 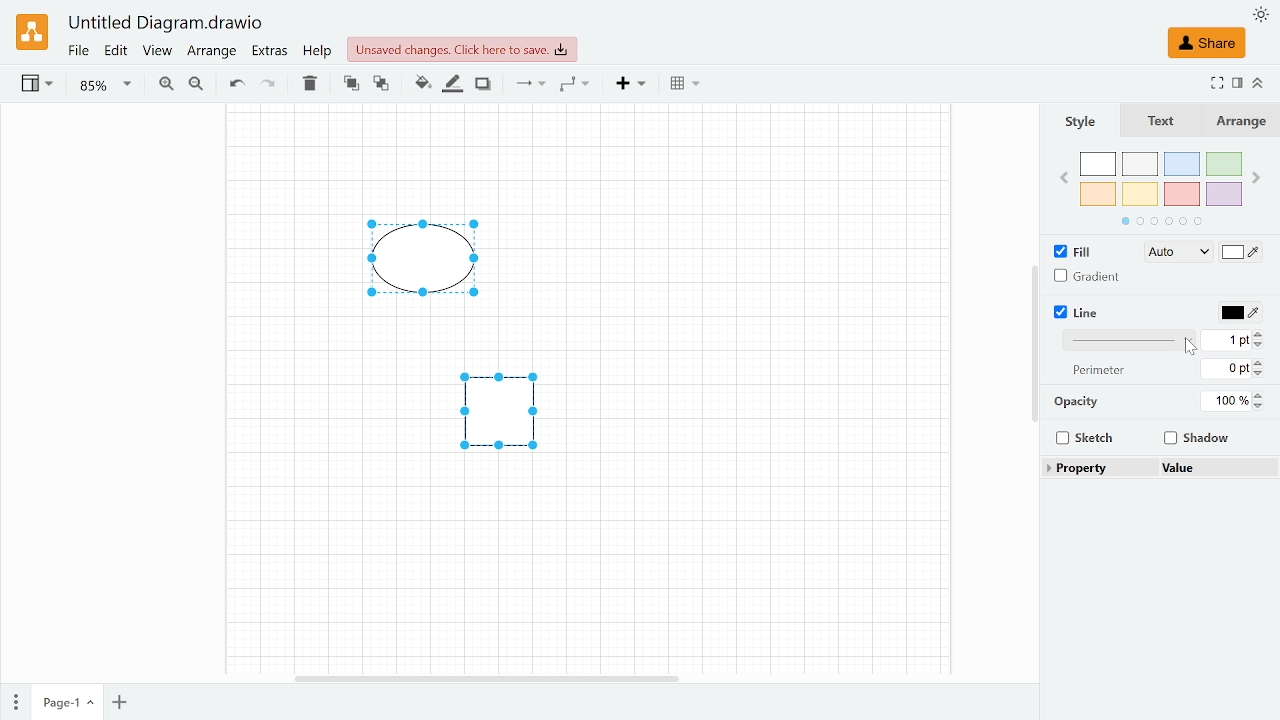 I want to click on Opacity, so click(x=1226, y=401).